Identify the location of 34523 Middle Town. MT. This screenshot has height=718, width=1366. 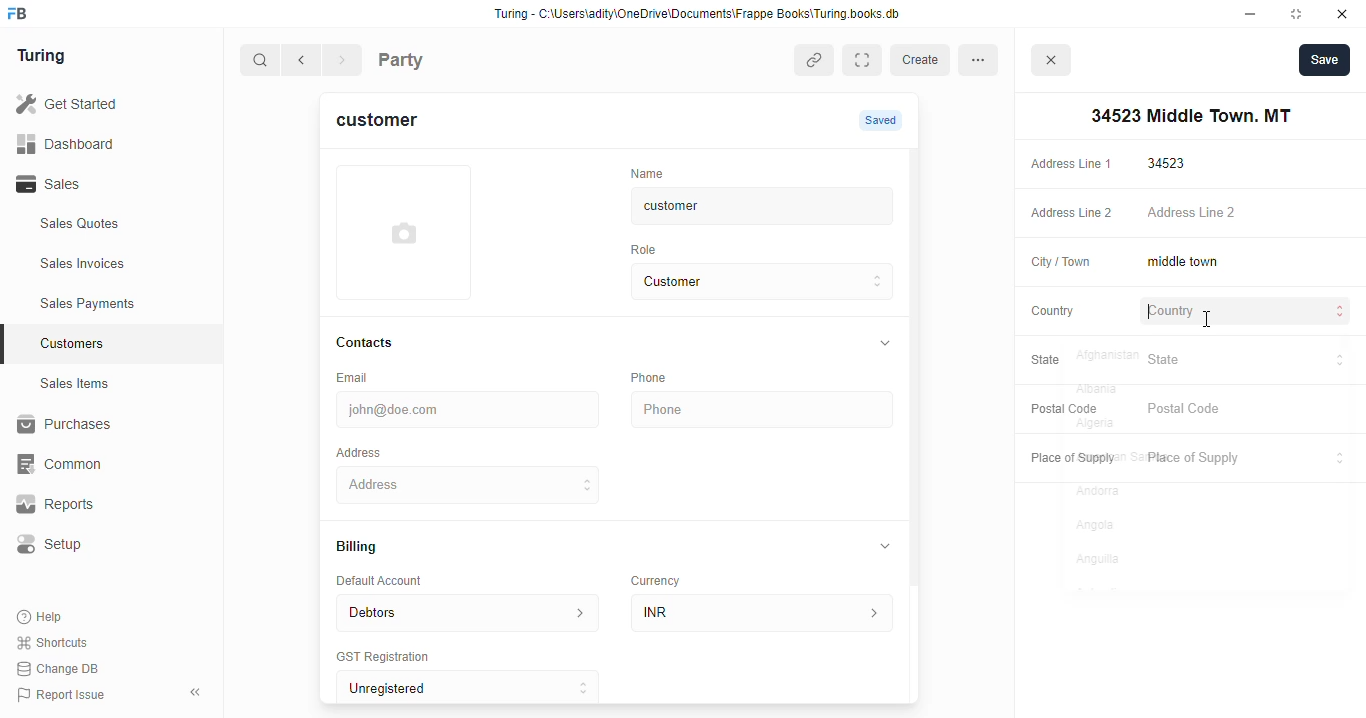
(471, 484).